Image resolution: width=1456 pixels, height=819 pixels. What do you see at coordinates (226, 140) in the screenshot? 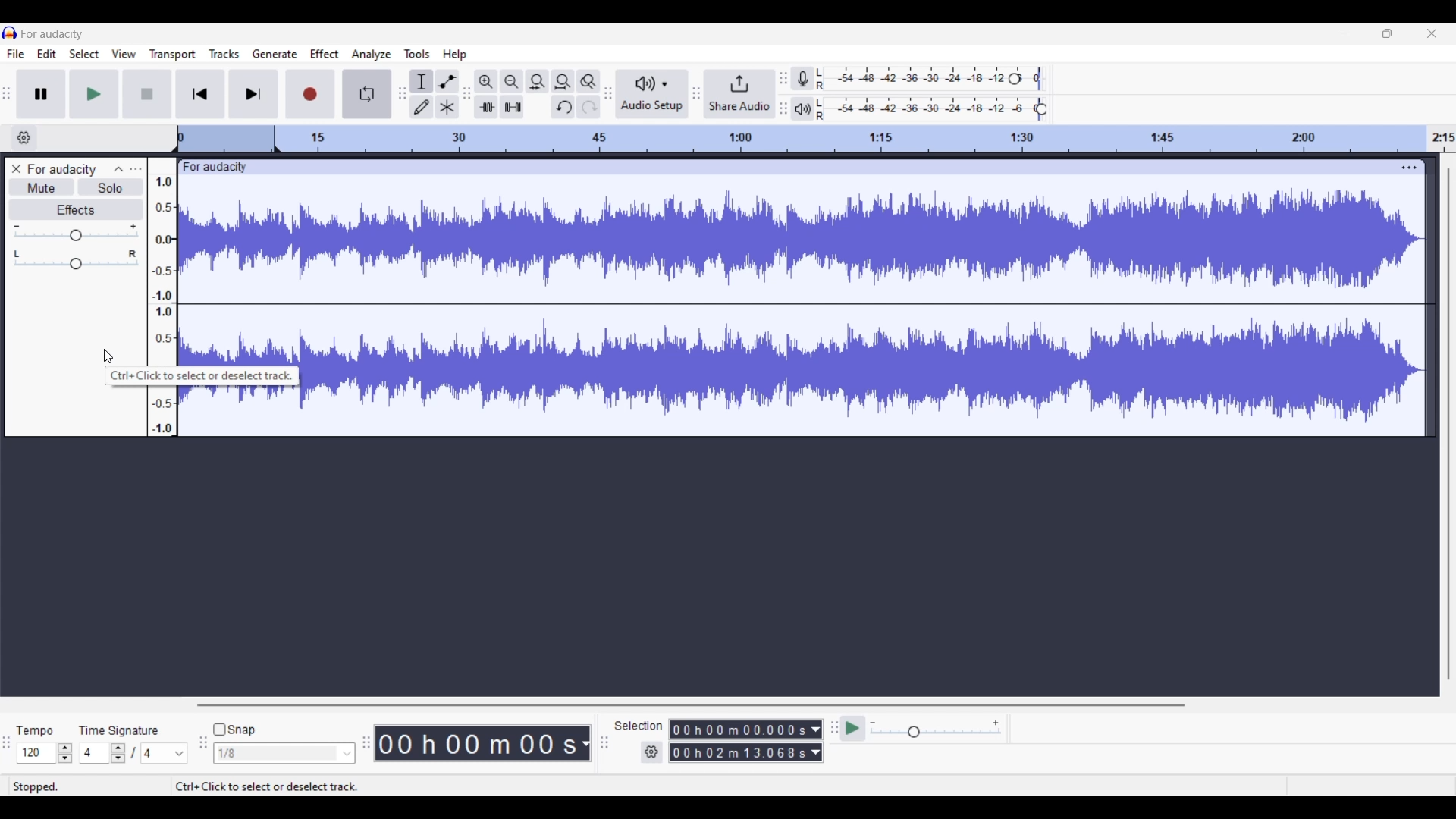
I see `Header space ` at bounding box center [226, 140].